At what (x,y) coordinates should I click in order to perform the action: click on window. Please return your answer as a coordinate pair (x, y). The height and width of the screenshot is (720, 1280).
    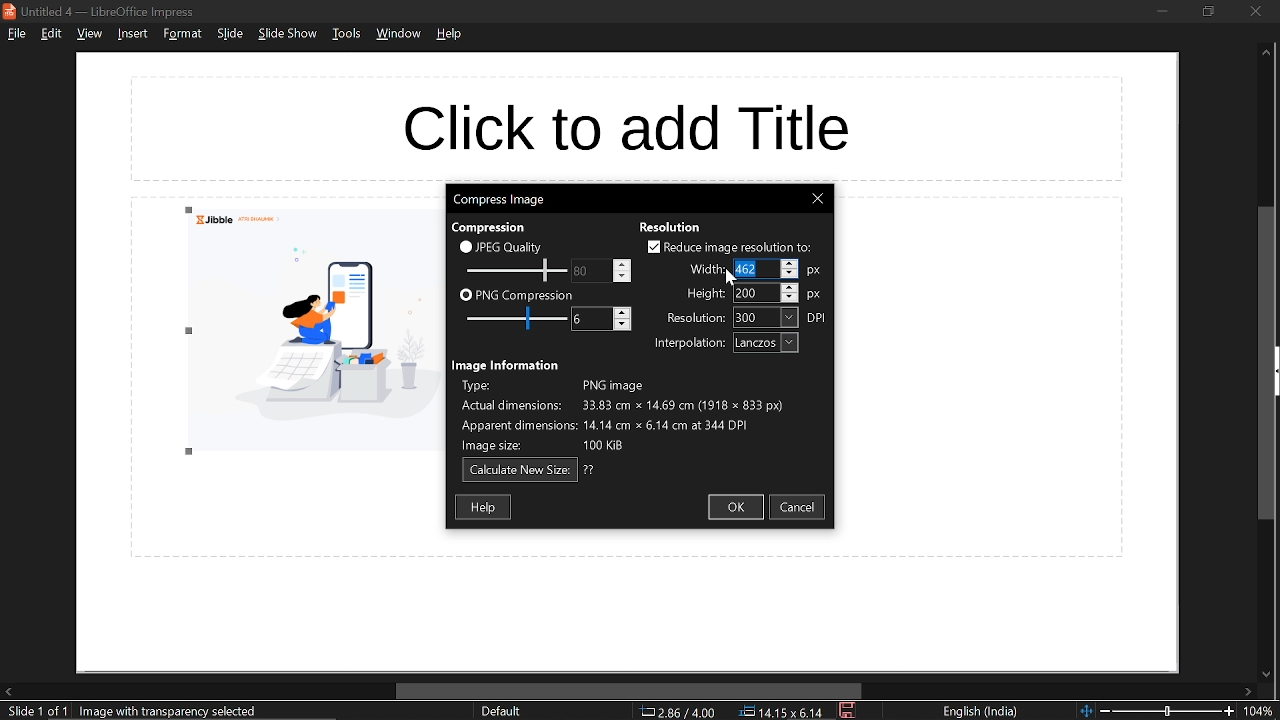
    Looking at the image, I should click on (401, 34).